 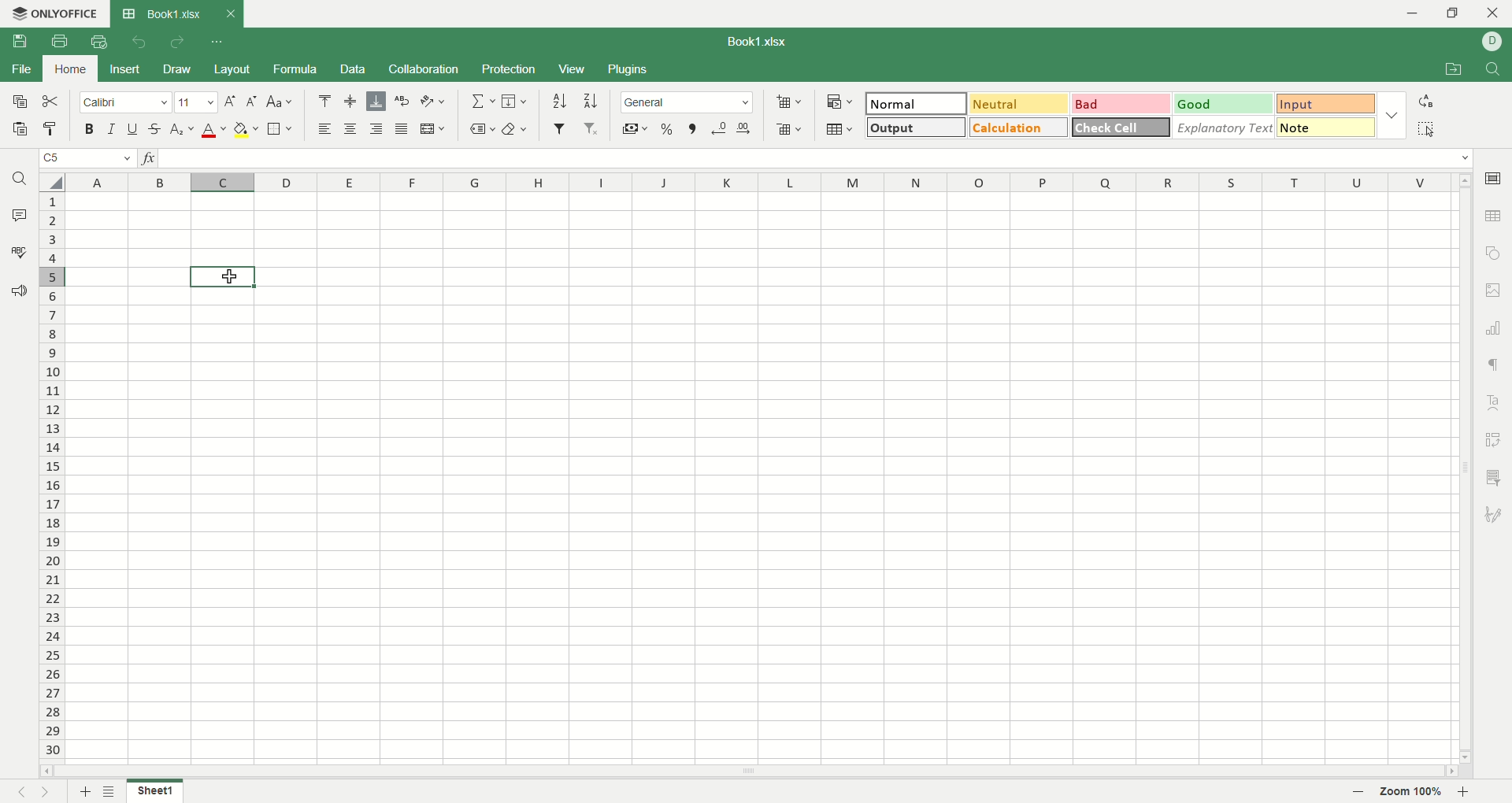 I want to click on named ranges, so click(x=482, y=128).